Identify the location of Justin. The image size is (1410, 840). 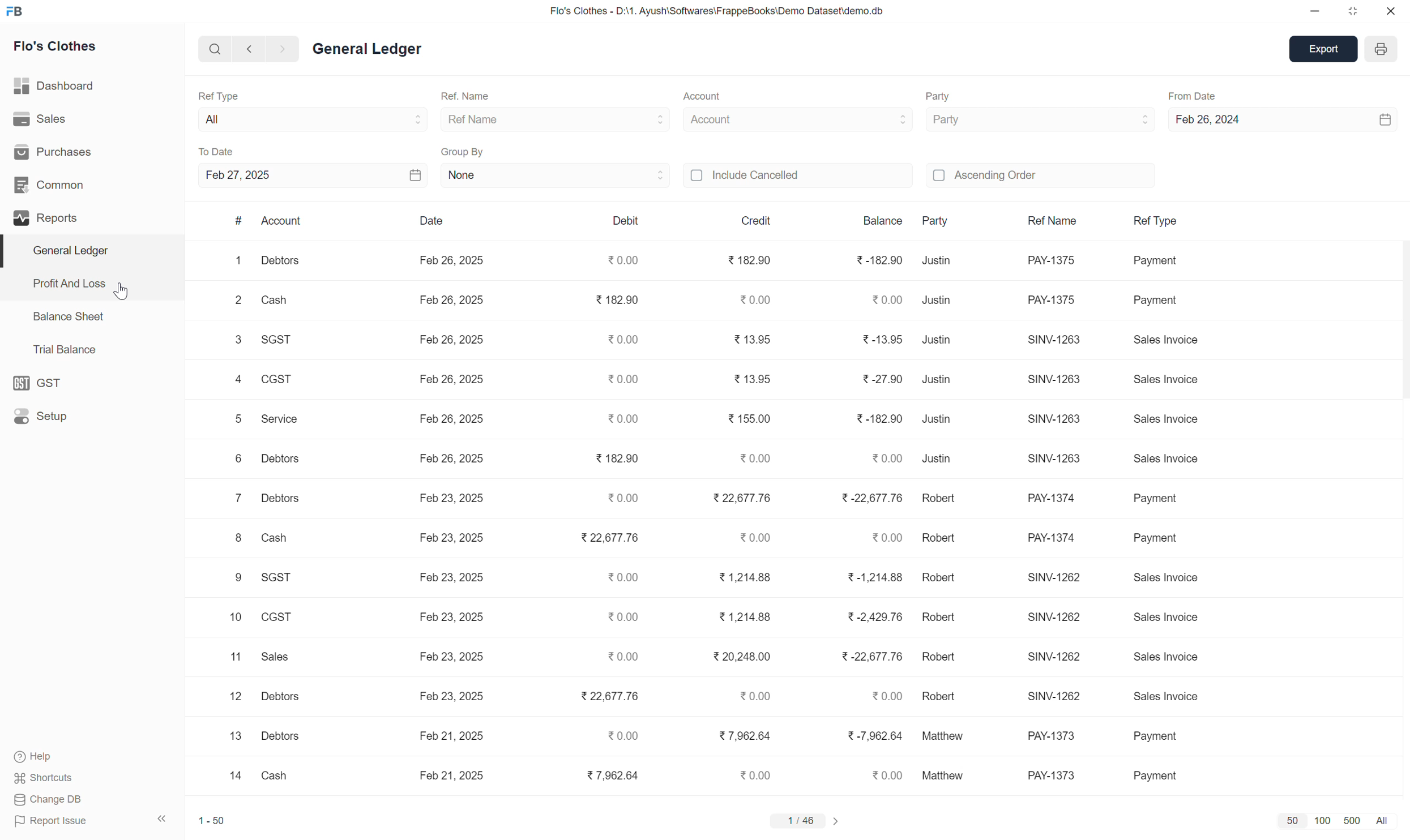
(936, 461).